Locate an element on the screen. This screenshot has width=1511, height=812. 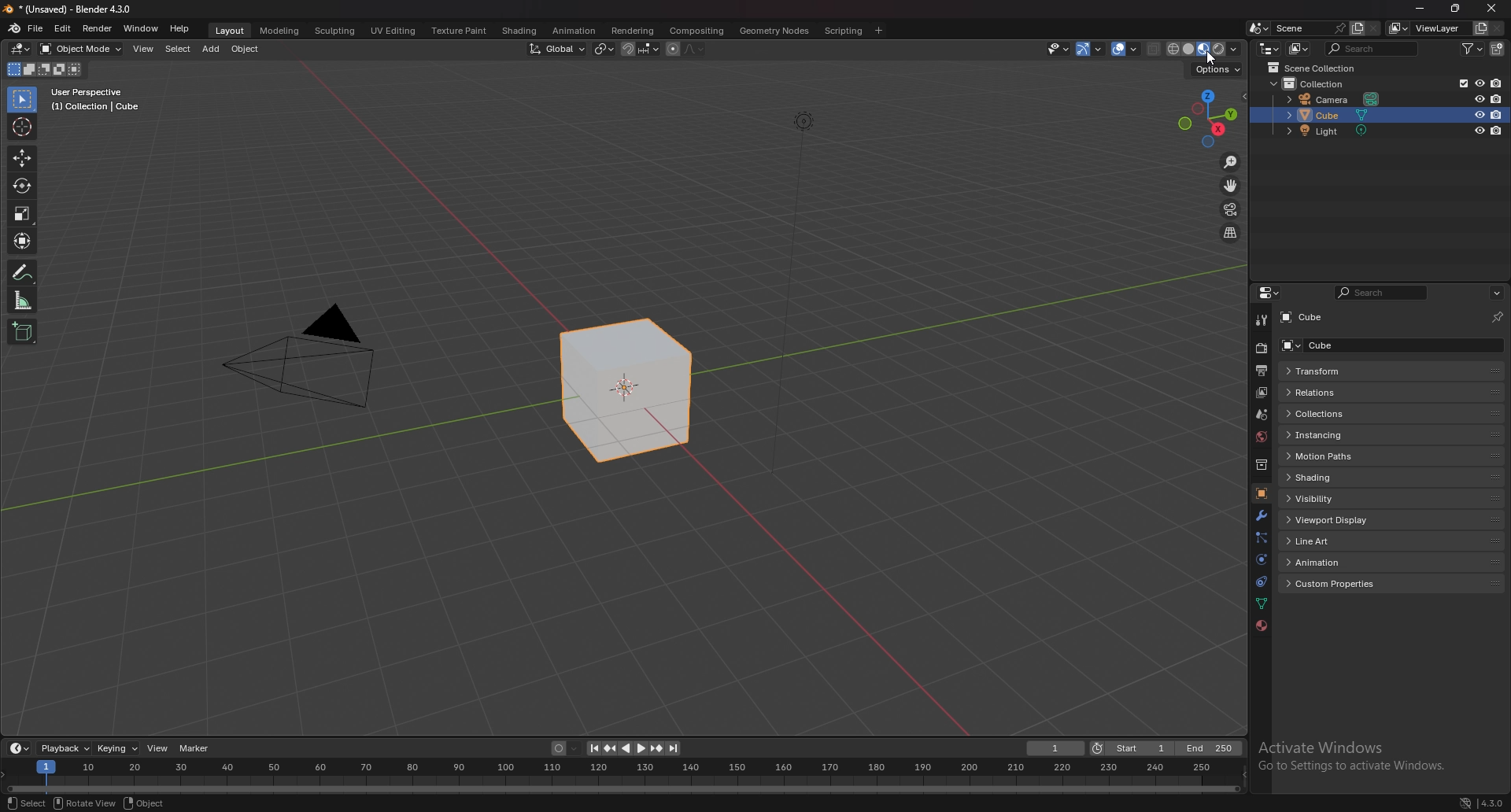
uv editing is located at coordinates (393, 31).